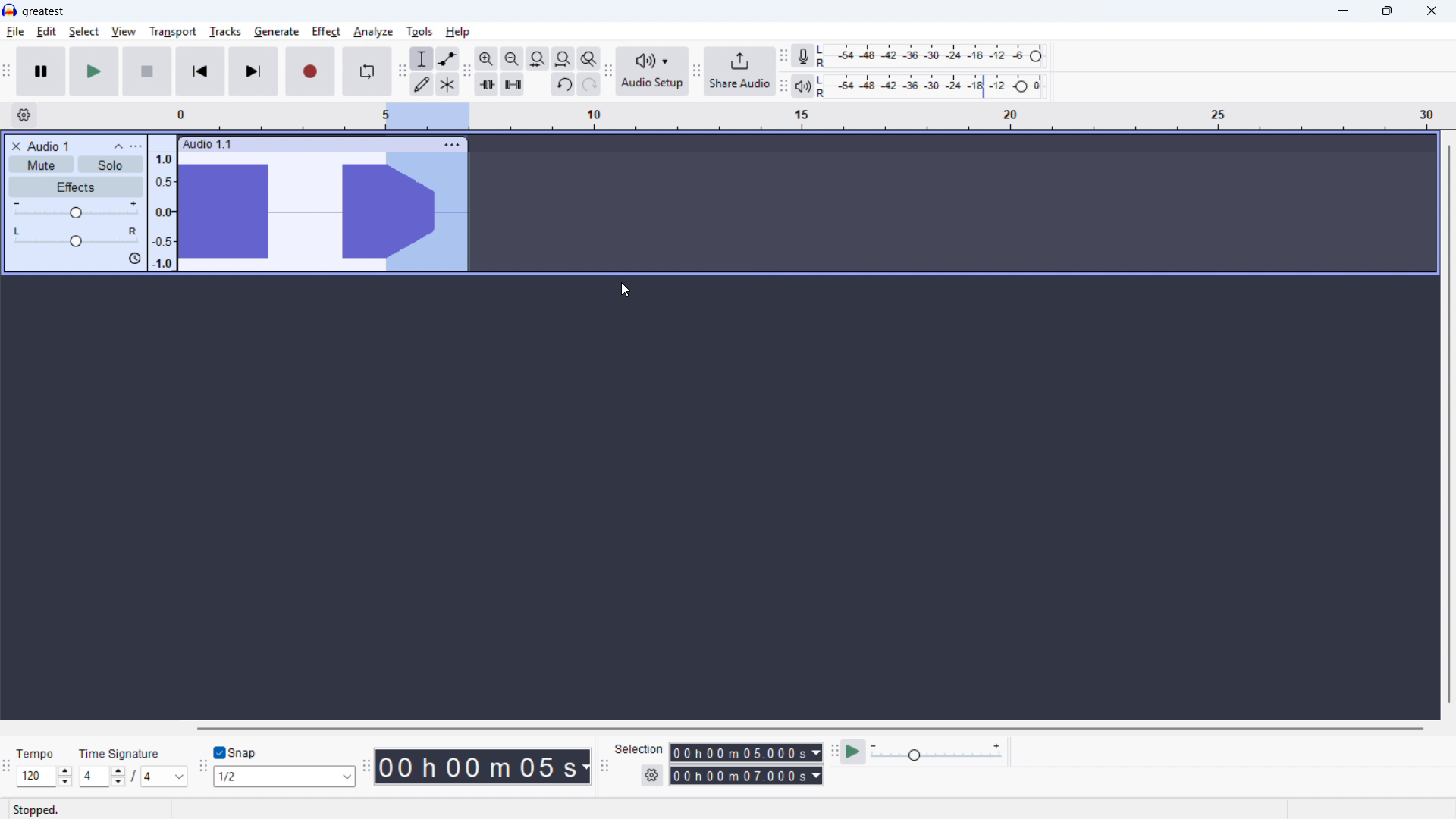 The width and height of the screenshot is (1456, 819). Describe the element at coordinates (607, 768) in the screenshot. I see `Selection toolbar ` at that location.